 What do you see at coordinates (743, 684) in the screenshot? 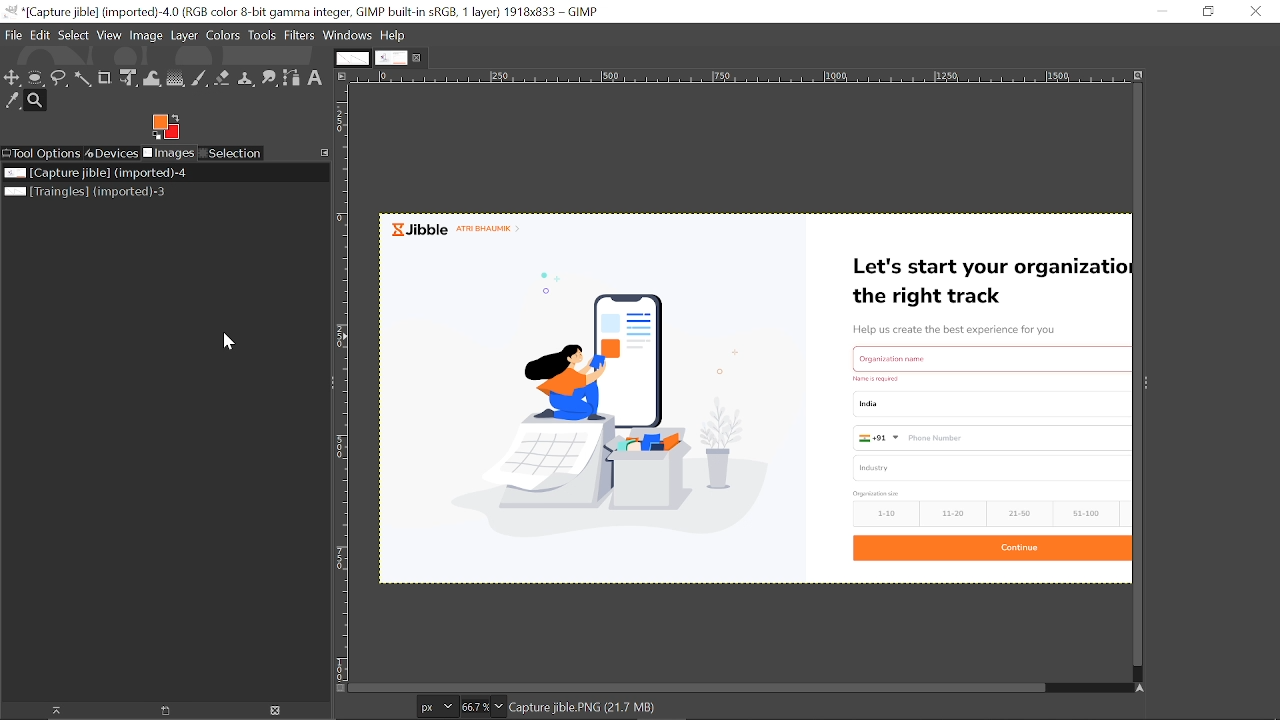
I see `horizontal scroll bar` at bounding box center [743, 684].